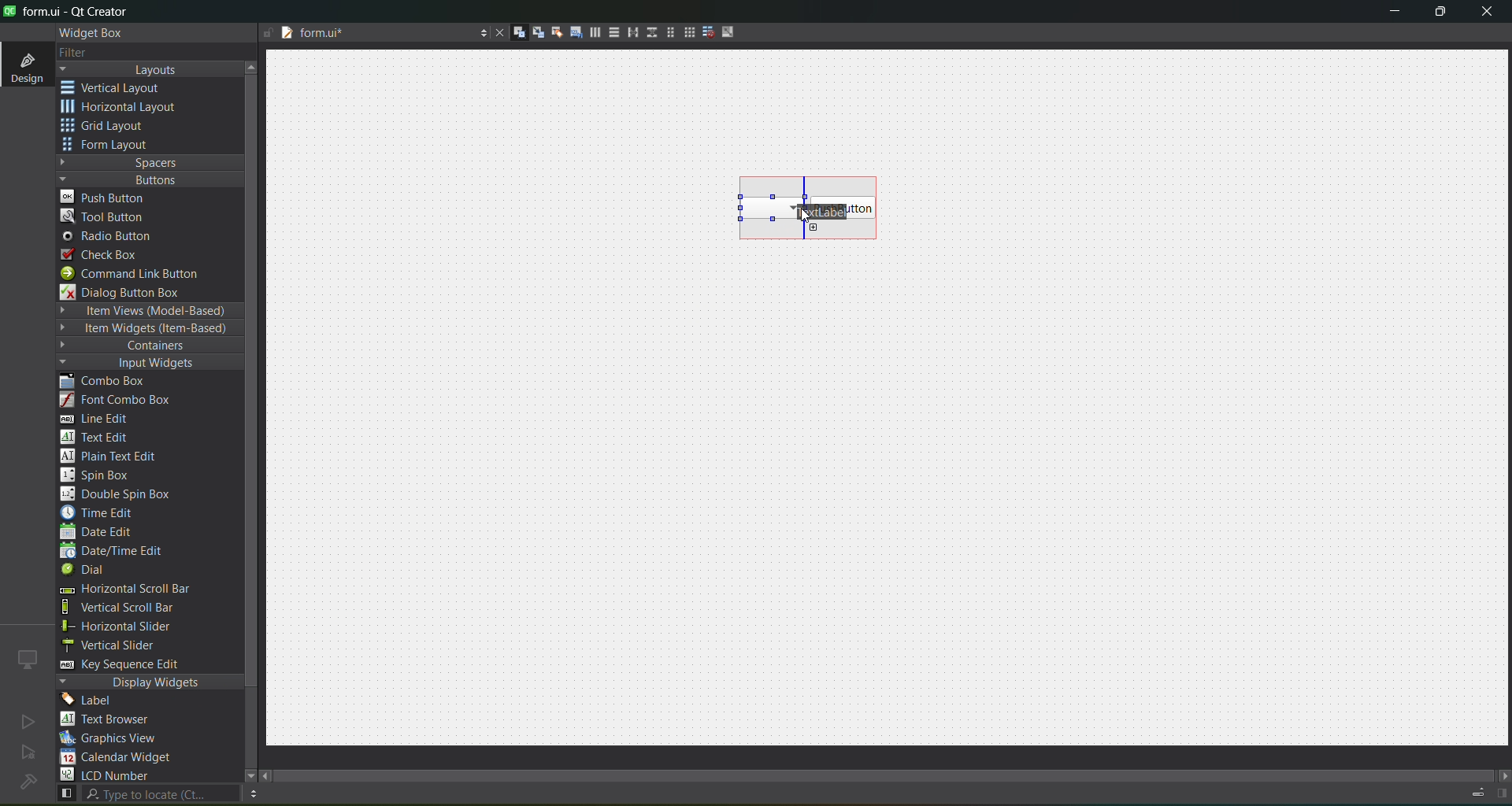 This screenshot has width=1512, height=806. Describe the element at coordinates (142, 346) in the screenshot. I see `containers` at that location.